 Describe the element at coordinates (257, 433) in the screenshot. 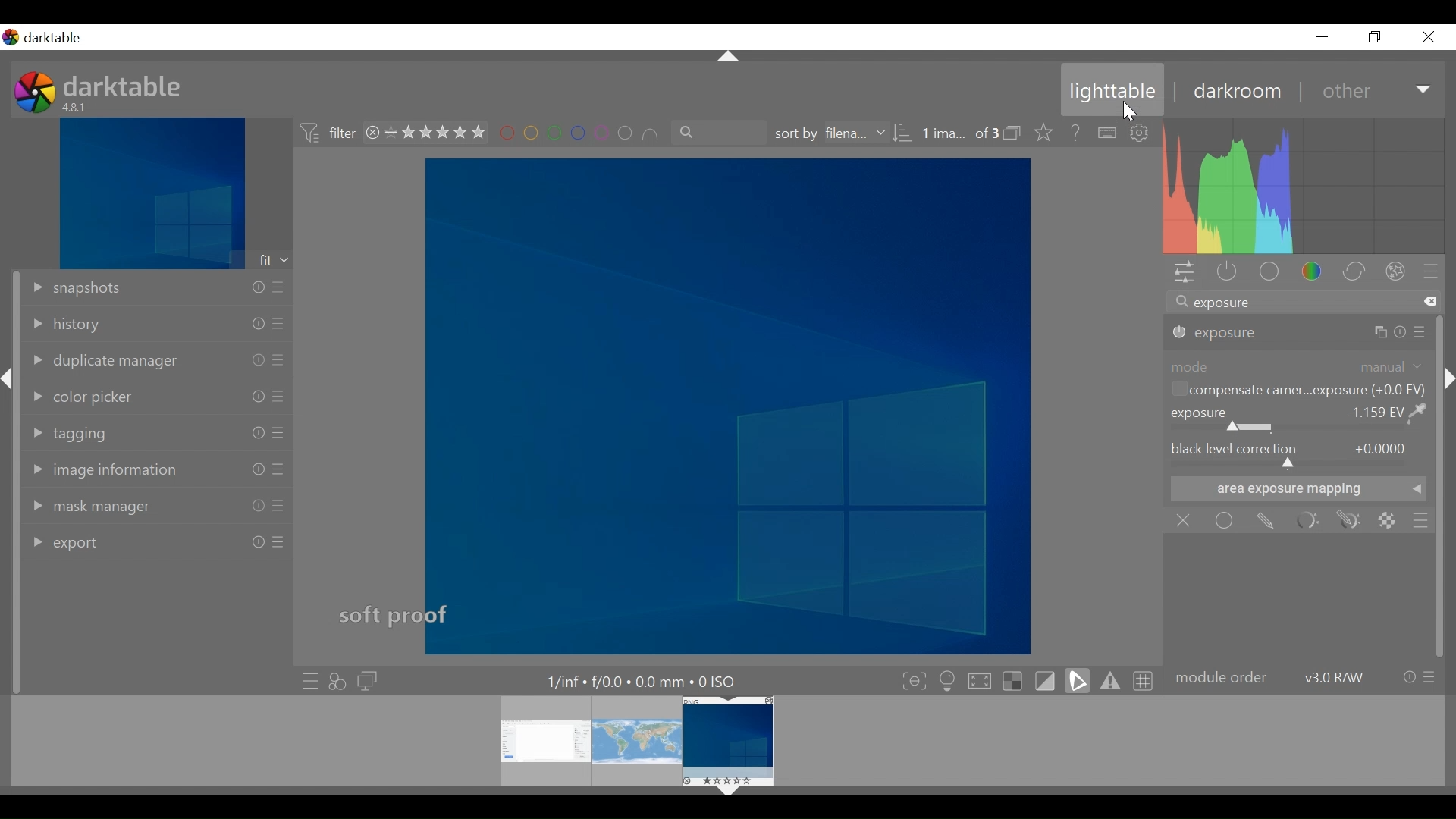

I see `info` at that location.